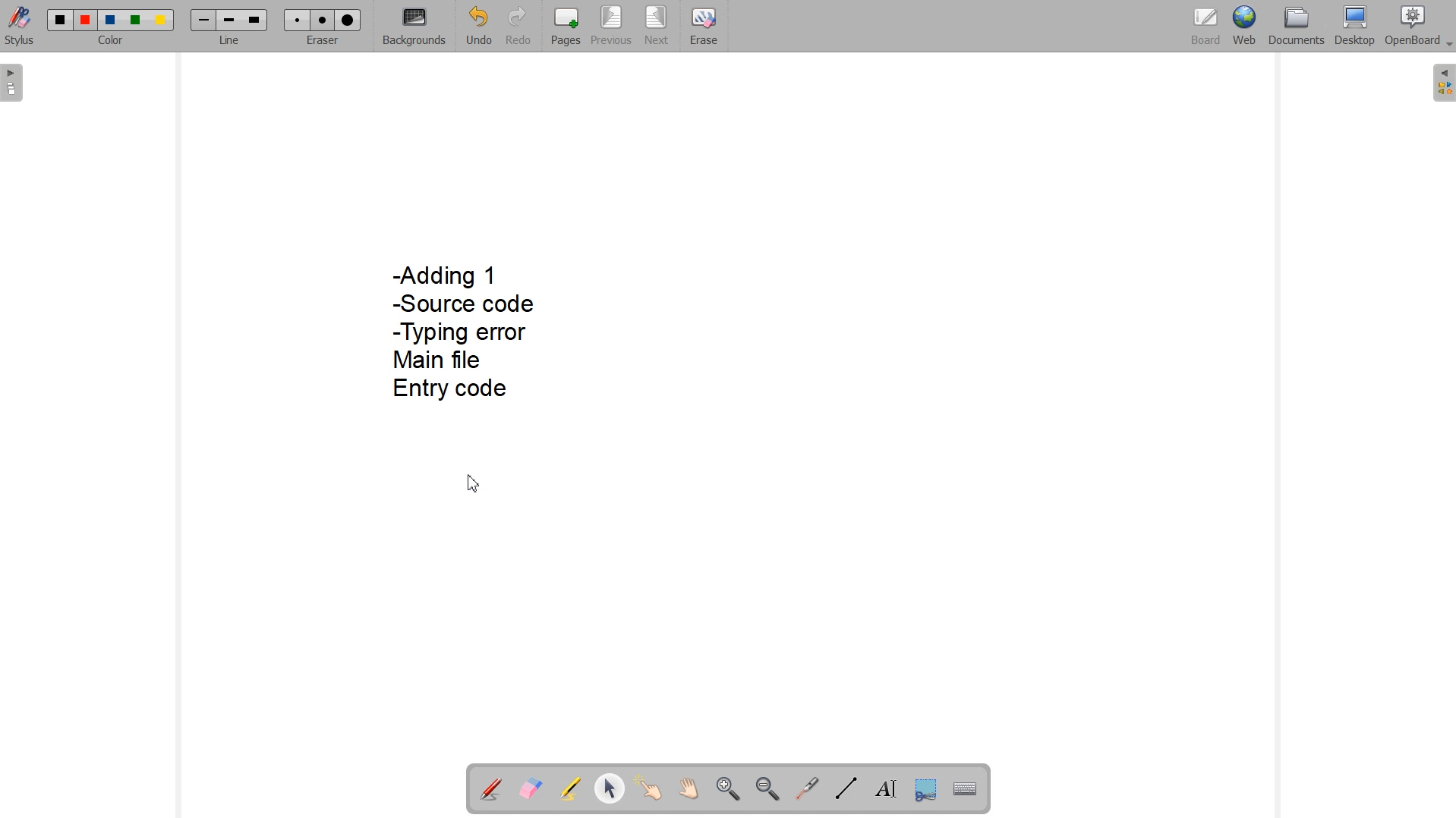 The width and height of the screenshot is (1456, 818). Describe the element at coordinates (113, 42) in the screenshot. I see `Color` at that location.